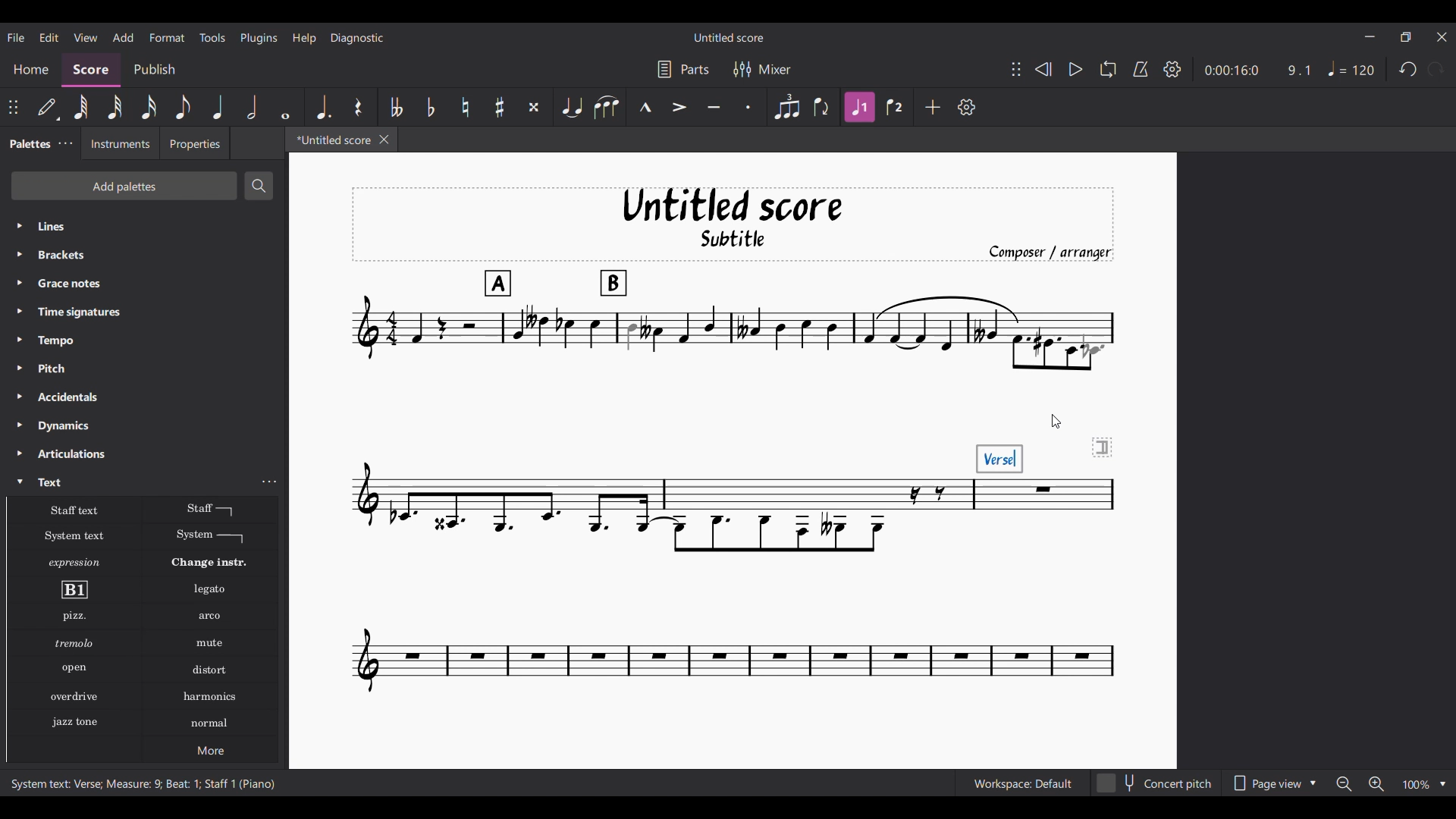 This screenshot has height=819, width=1456. Describe the element at coordinates (210, 749) in the screenshot. I see `More options` at that location.